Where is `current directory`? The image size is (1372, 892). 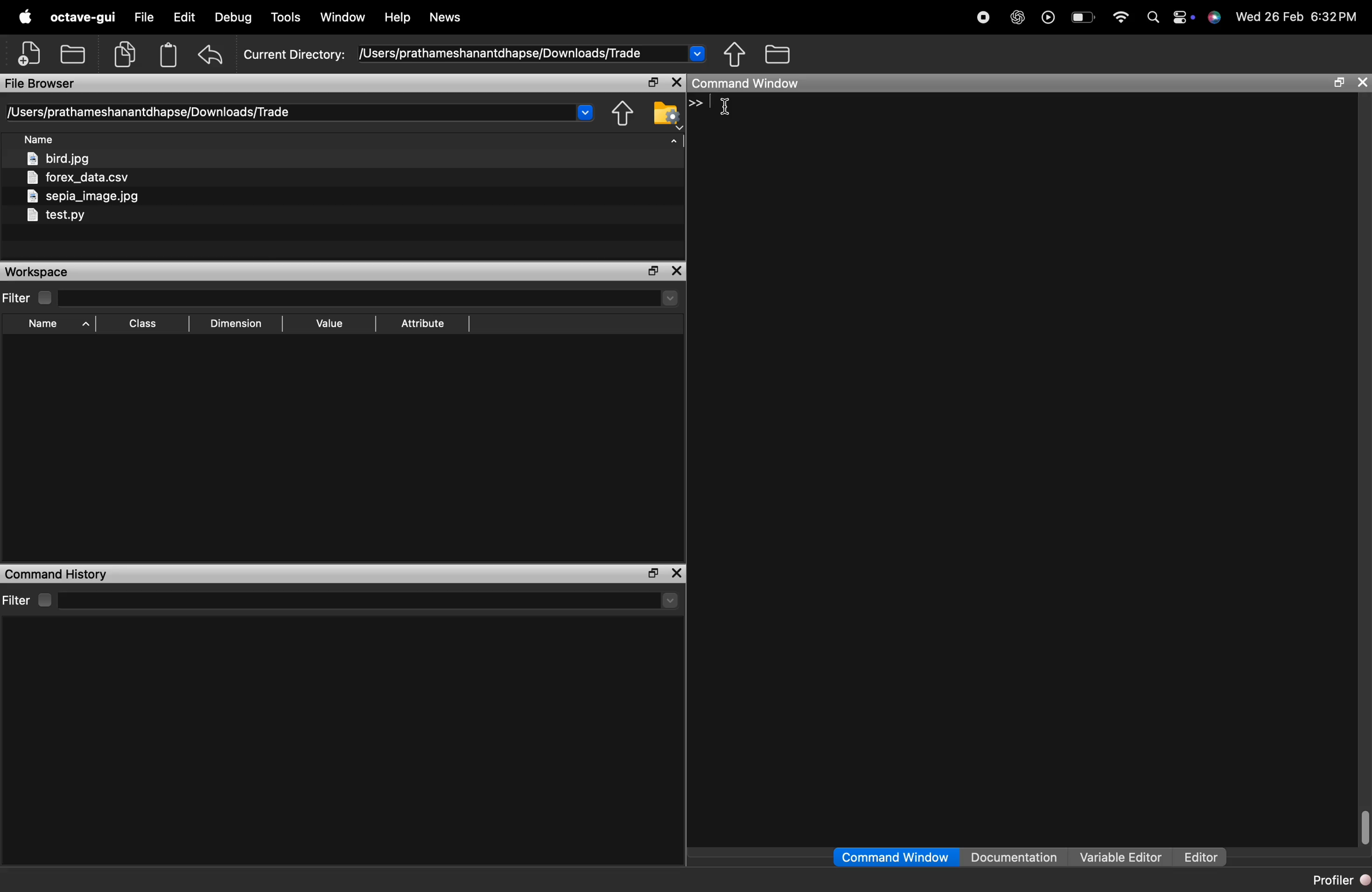 current directory is located at coordinates (475, 54).